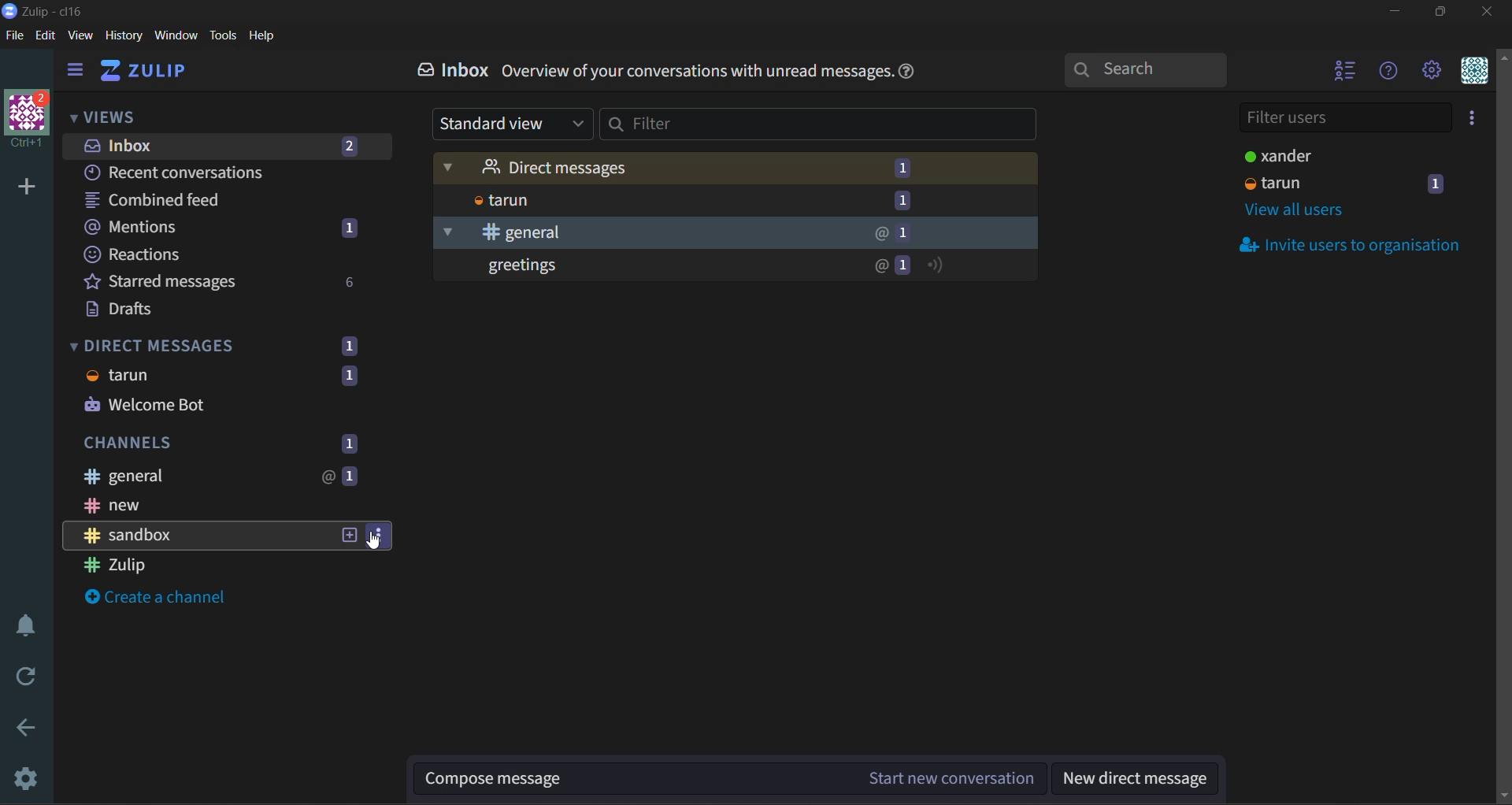  Describe the element at coordinates (1347, 155) in the screenshot. I see `users and status` at that location.